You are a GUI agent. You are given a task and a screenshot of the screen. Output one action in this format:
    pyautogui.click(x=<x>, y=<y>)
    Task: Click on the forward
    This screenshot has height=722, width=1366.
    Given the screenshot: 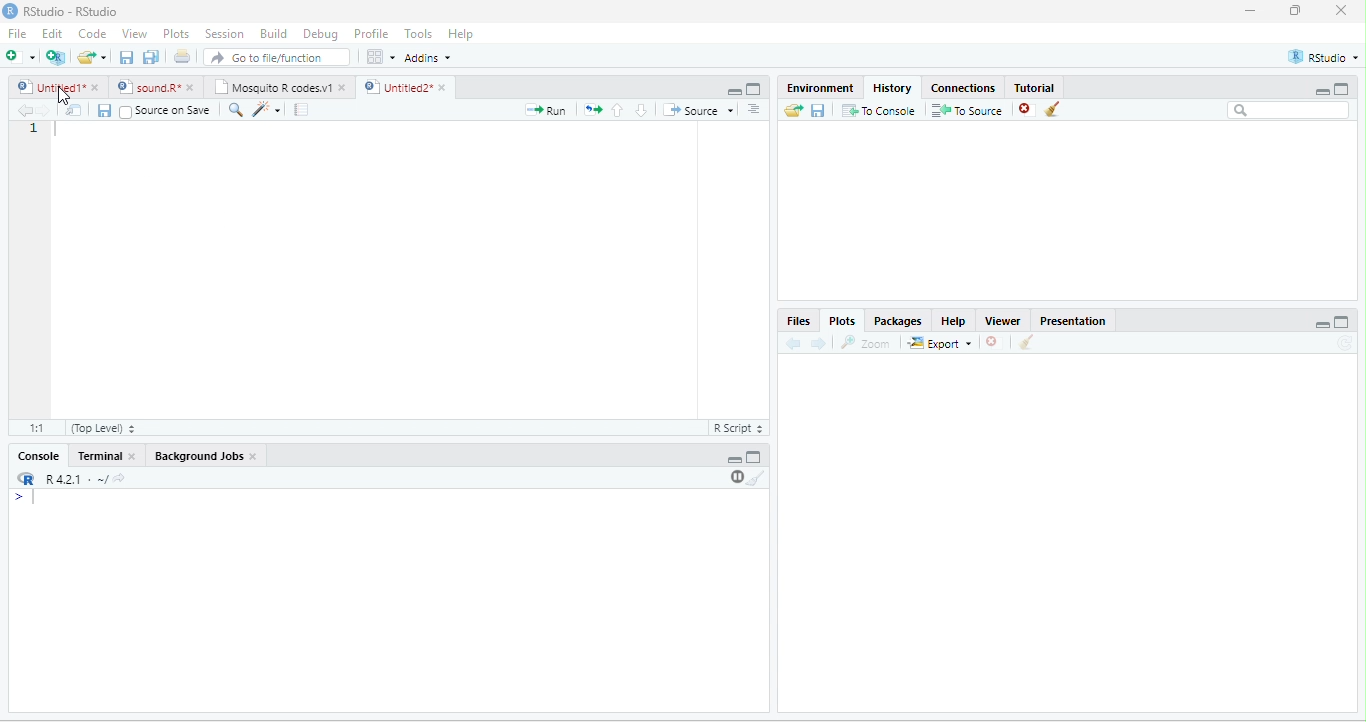 What is the action you would take?
    pyautogui.click(x=46, y=111)
    